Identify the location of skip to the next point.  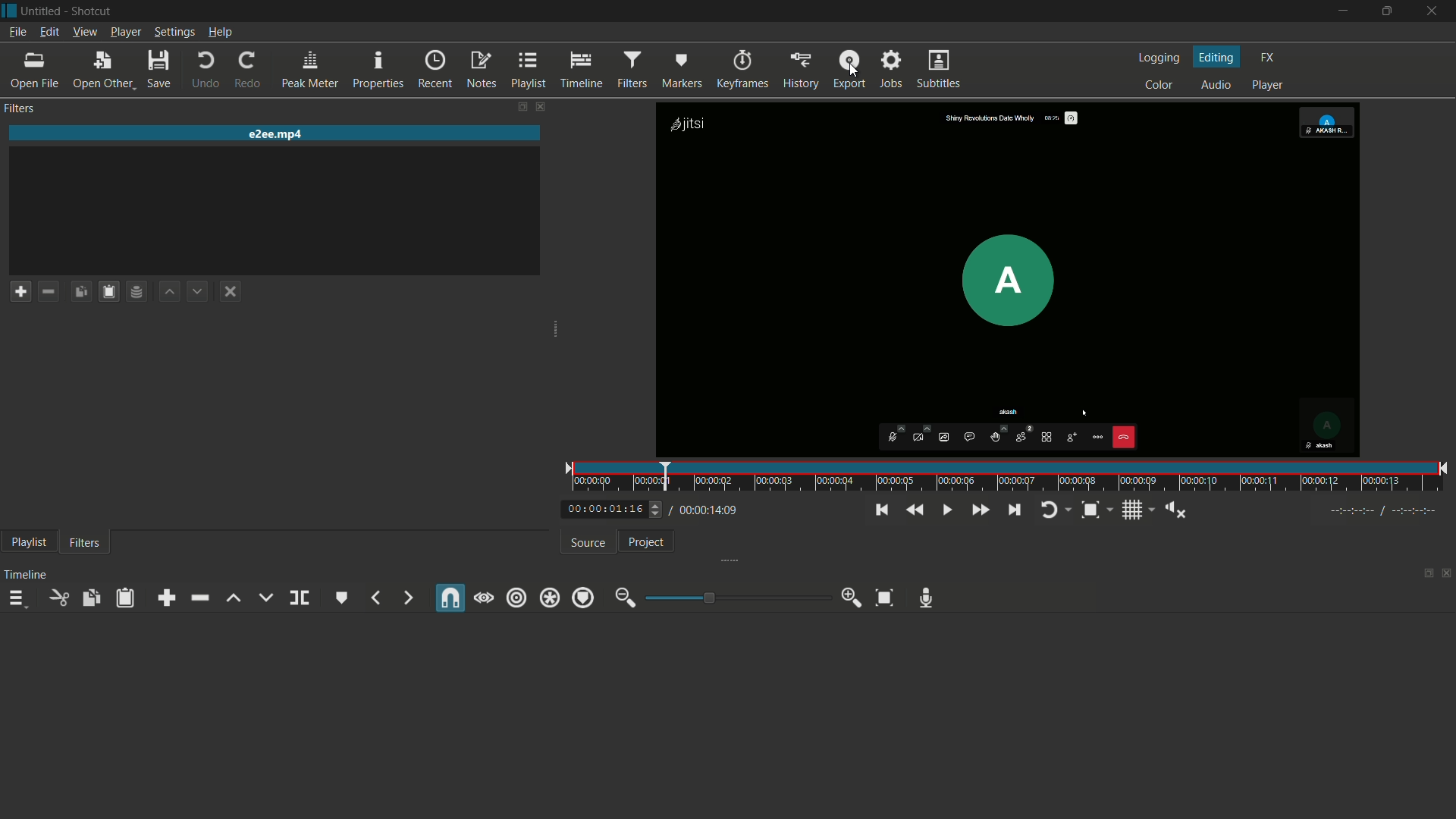
(1016, 510).